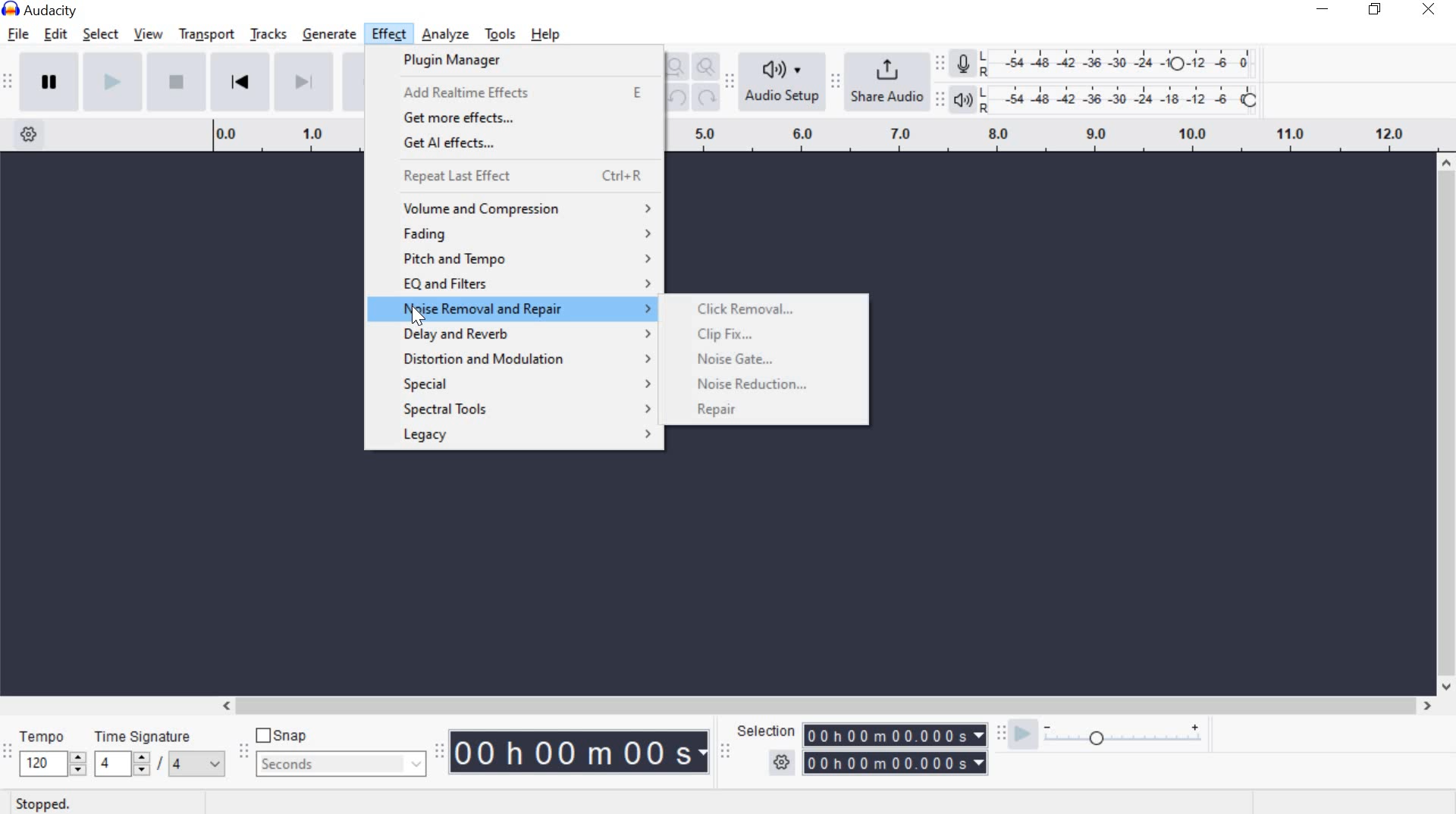 The height and width of the screenshot is (814, 1456). Describe the element at coordinates (111, 83) in the screenshot. I see `play` at that location.